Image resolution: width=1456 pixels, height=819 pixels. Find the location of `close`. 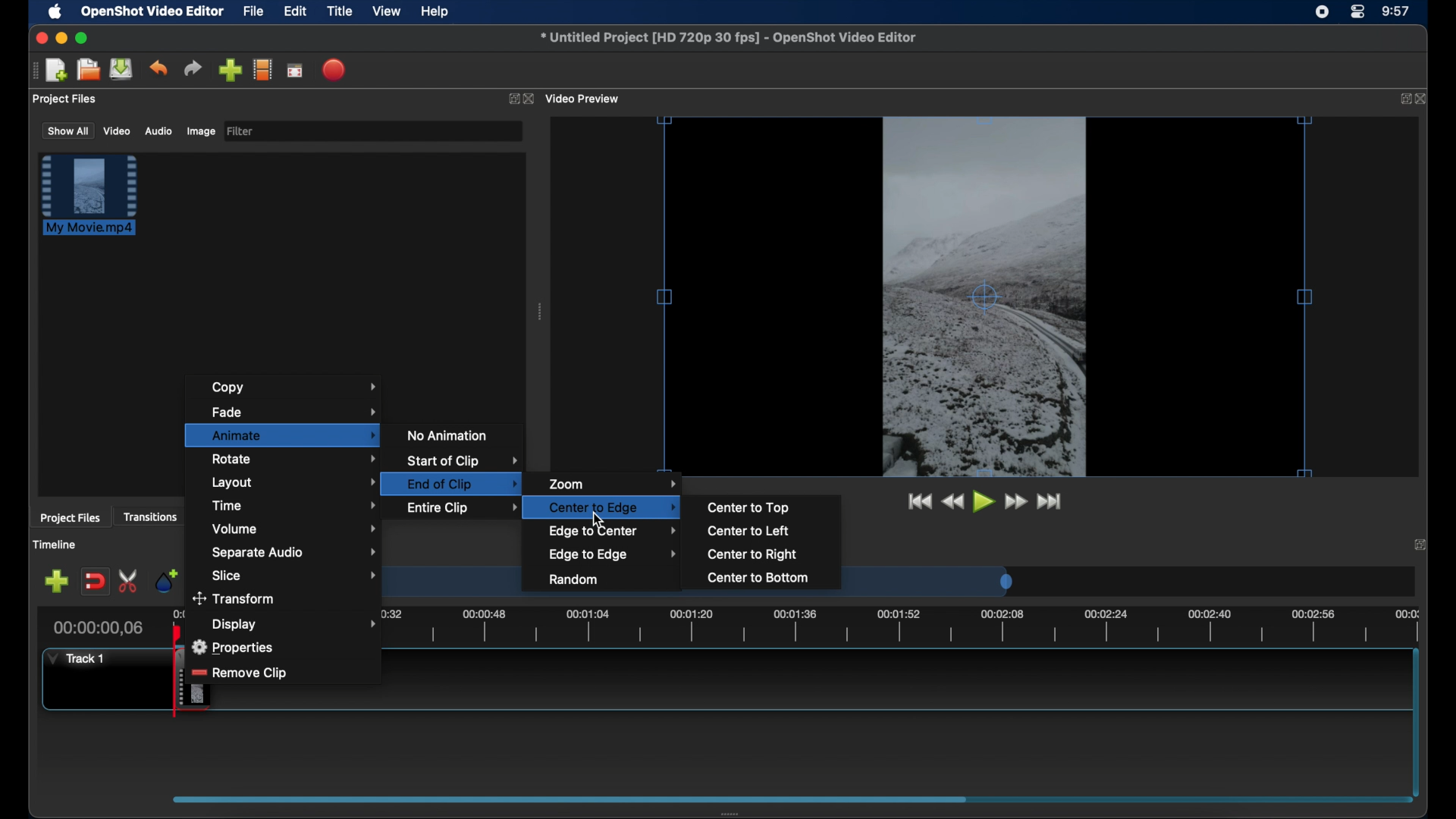

close is located at coordinates (39, 38).